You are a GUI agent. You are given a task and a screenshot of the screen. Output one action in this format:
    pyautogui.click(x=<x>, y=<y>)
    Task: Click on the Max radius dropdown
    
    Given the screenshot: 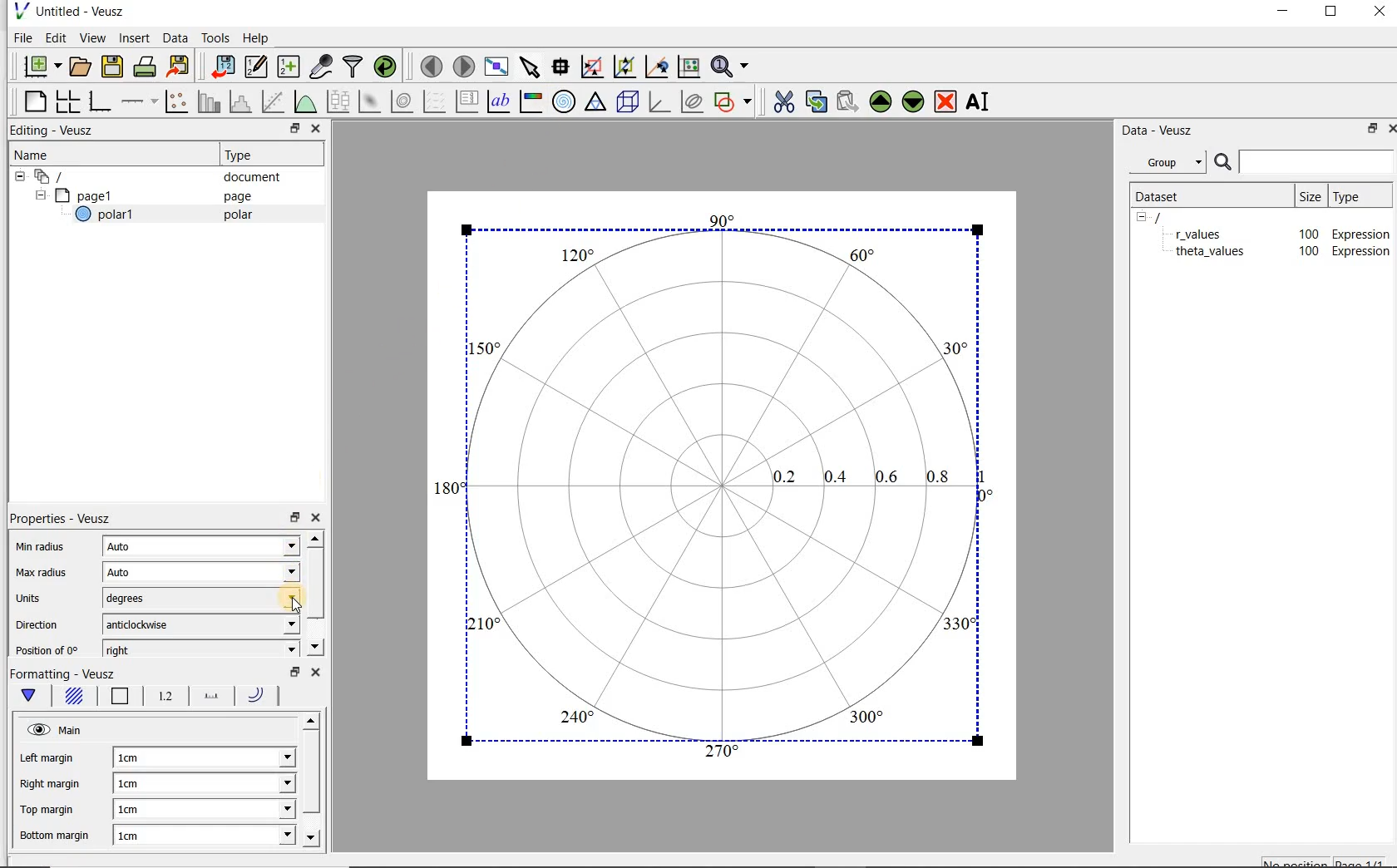 What is the action you would take?
    pyautogui.click(x=275, y=573)
    